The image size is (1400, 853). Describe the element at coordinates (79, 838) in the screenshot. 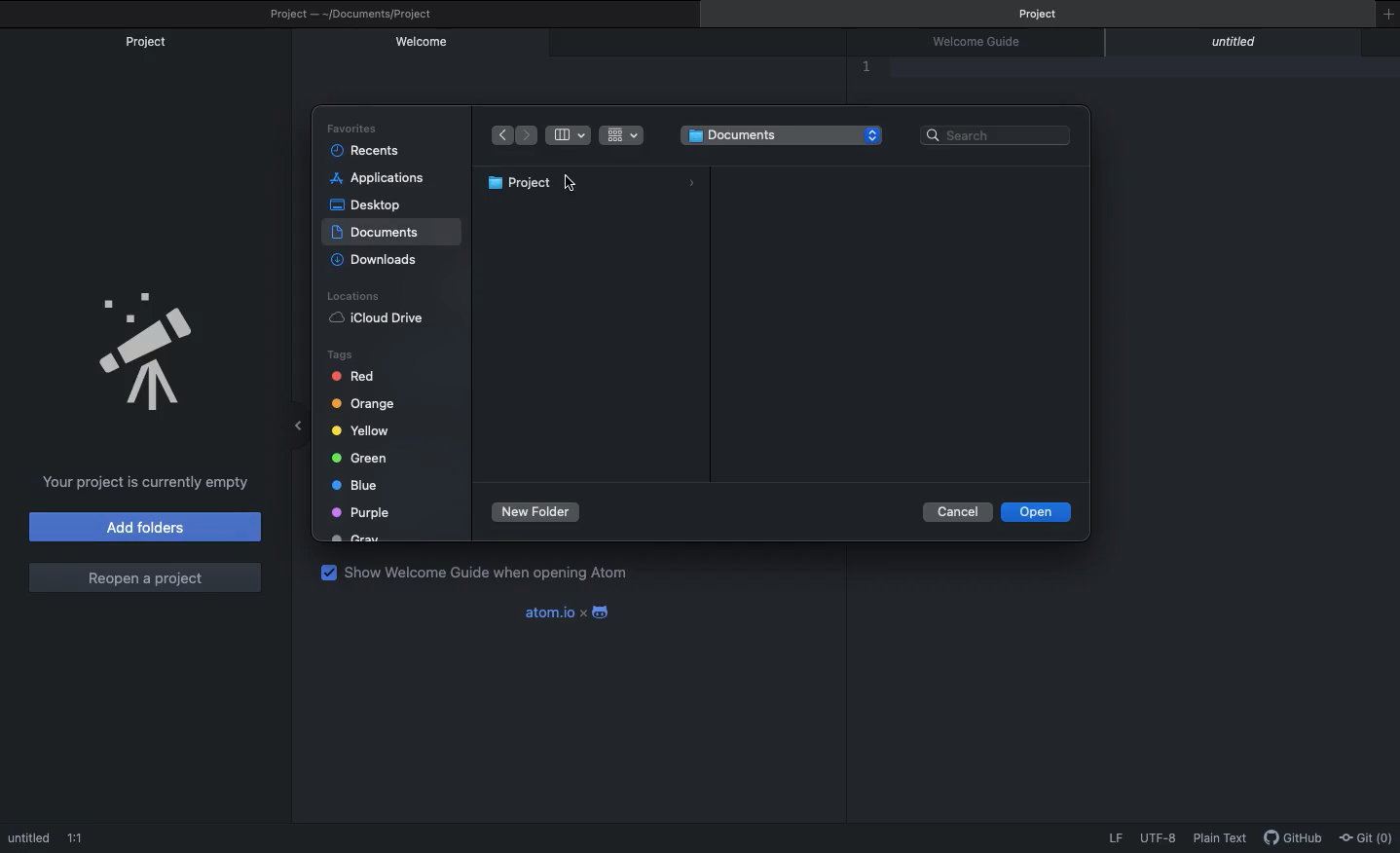

I see `1:!` at that location.